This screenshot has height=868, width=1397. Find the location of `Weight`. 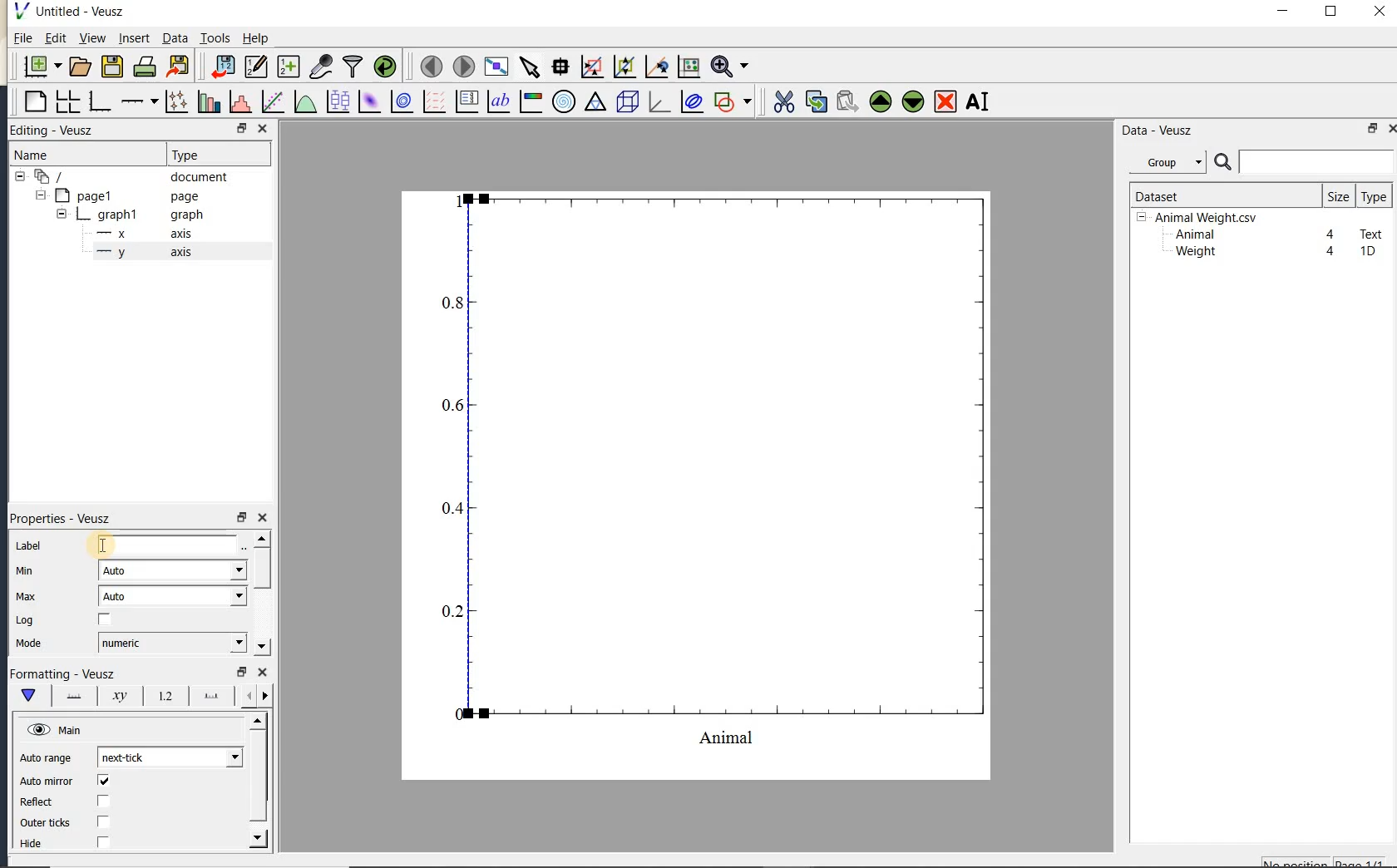

Weight is located at coordinates (1194, 253).